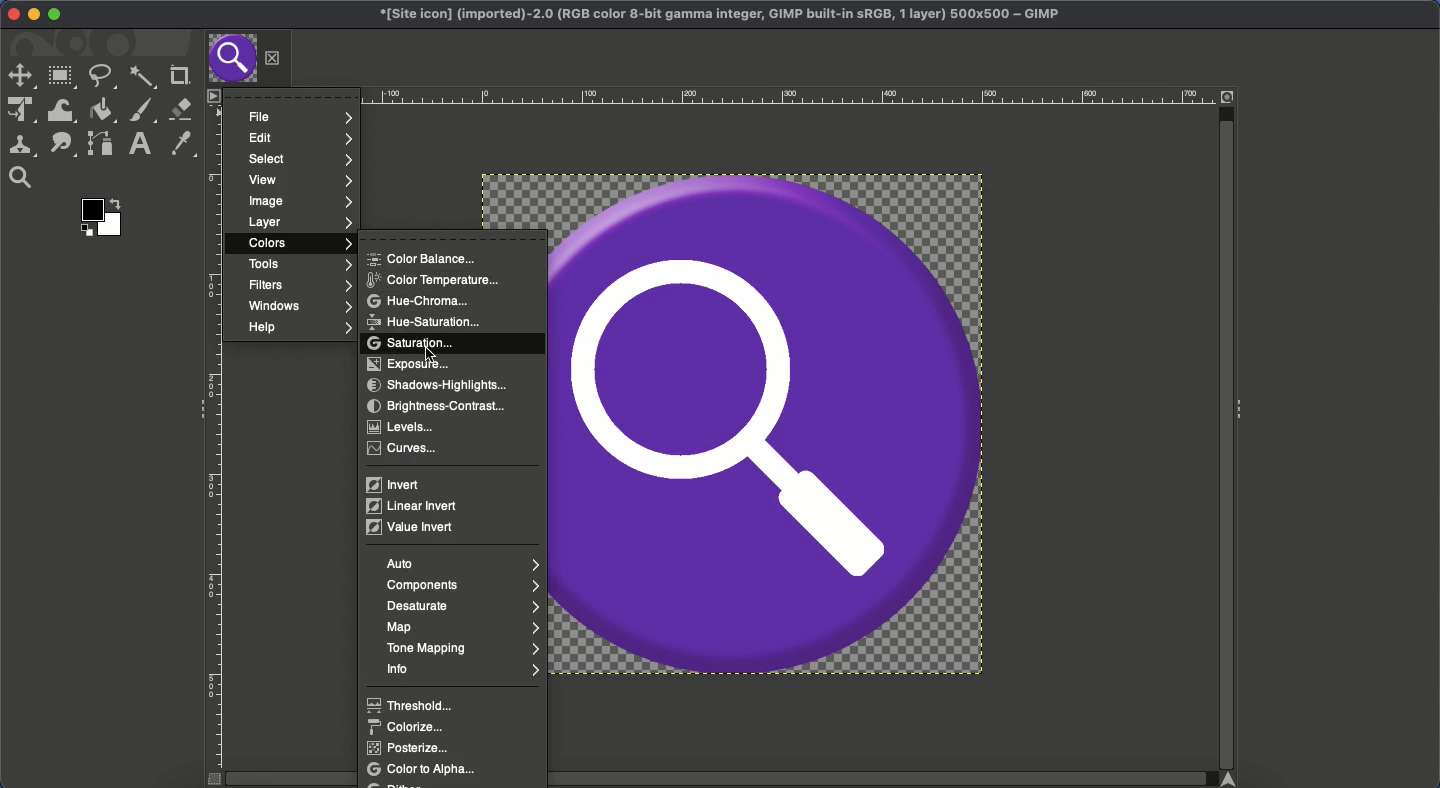 Image resolution: width=1440 pixels, height=788 pixels. Describe the element at coordinates (21, 147) in the screenshot. I see `Clone tool` at that location.